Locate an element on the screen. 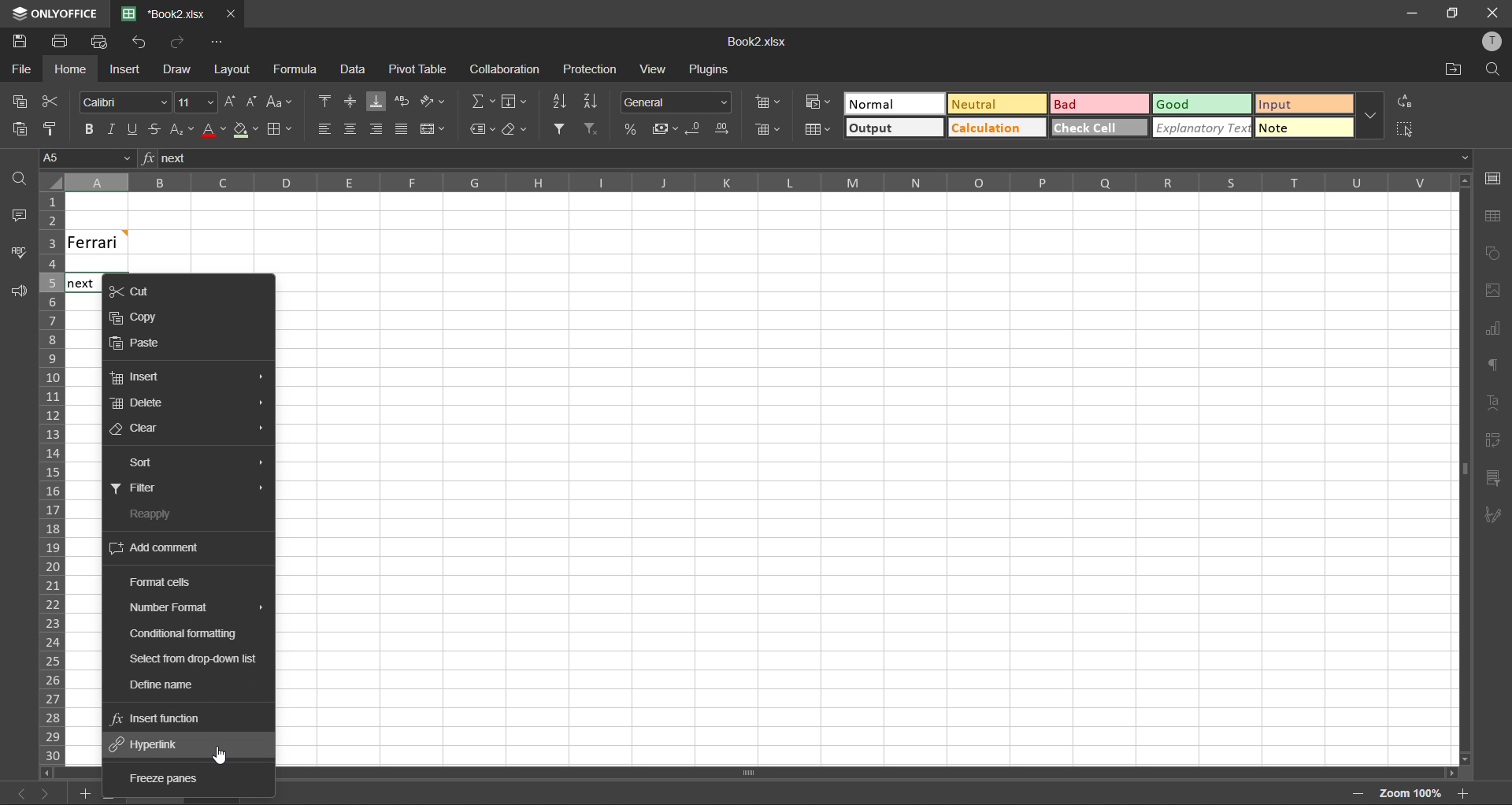 The image size is (1512, 805). zoom out is located at coordinates (1356, 796).